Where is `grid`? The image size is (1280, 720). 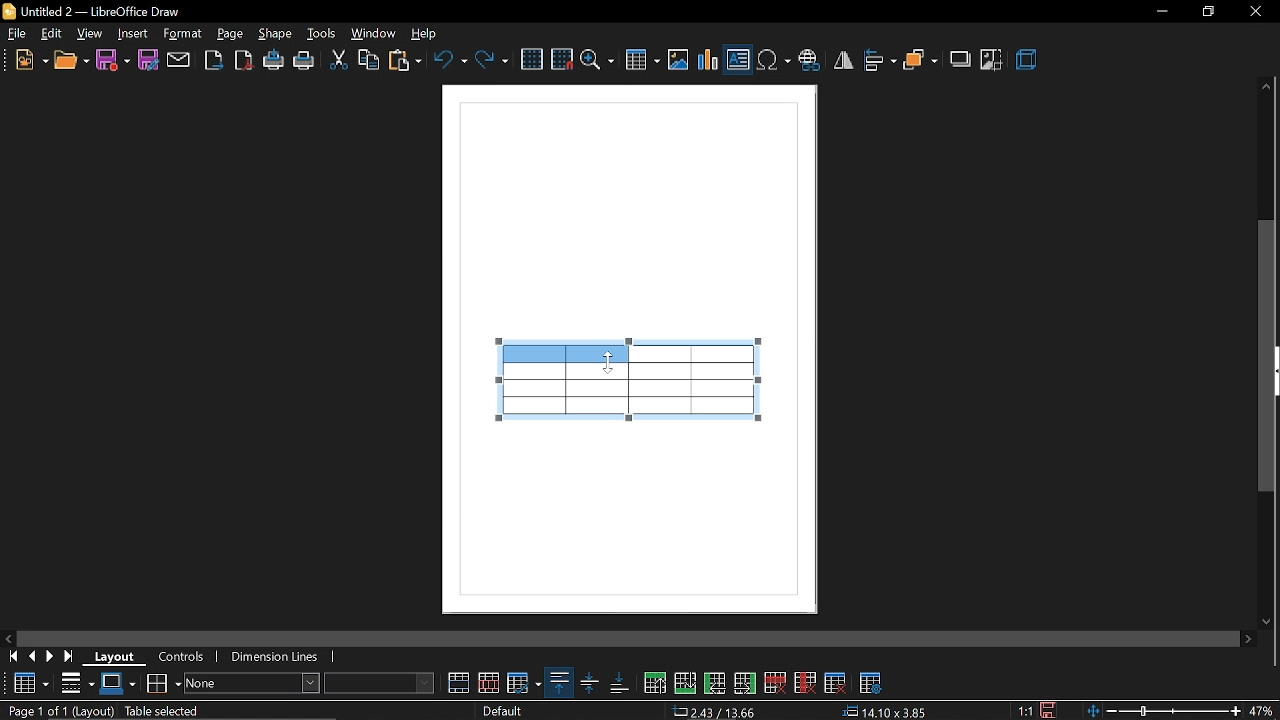
grid is located at coordinates (533, 60).